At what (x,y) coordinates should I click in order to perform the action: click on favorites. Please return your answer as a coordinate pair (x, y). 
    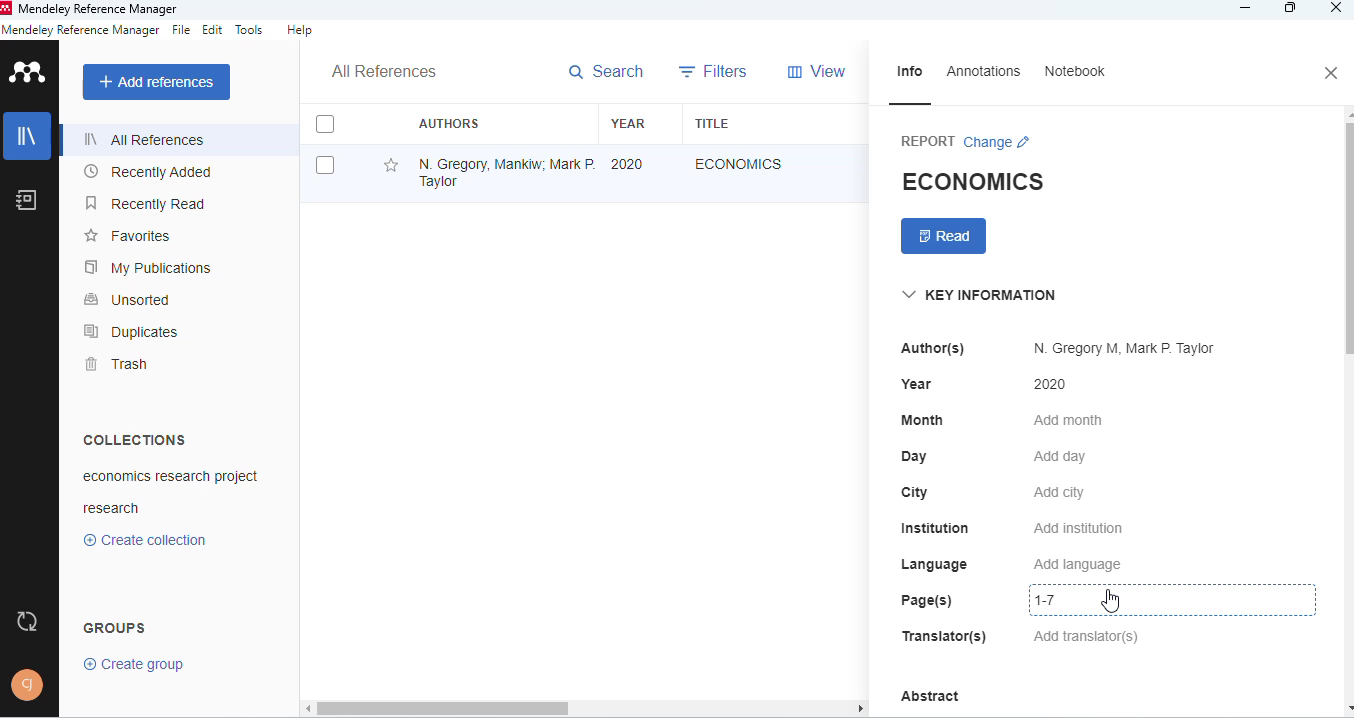
    Looking at the image, I should click on (129, 236).